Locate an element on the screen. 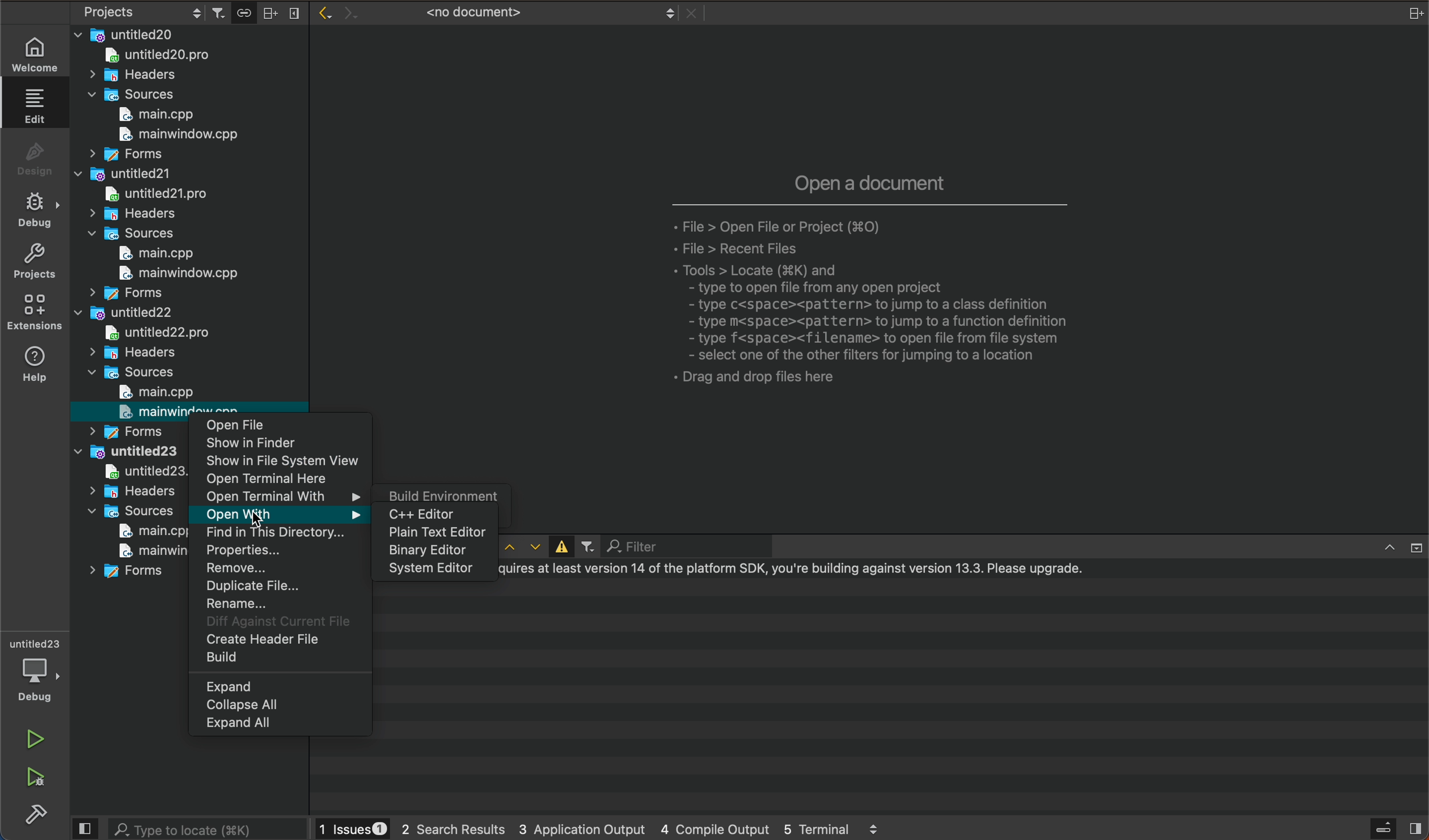  open  is located at coordinates (284, 426).